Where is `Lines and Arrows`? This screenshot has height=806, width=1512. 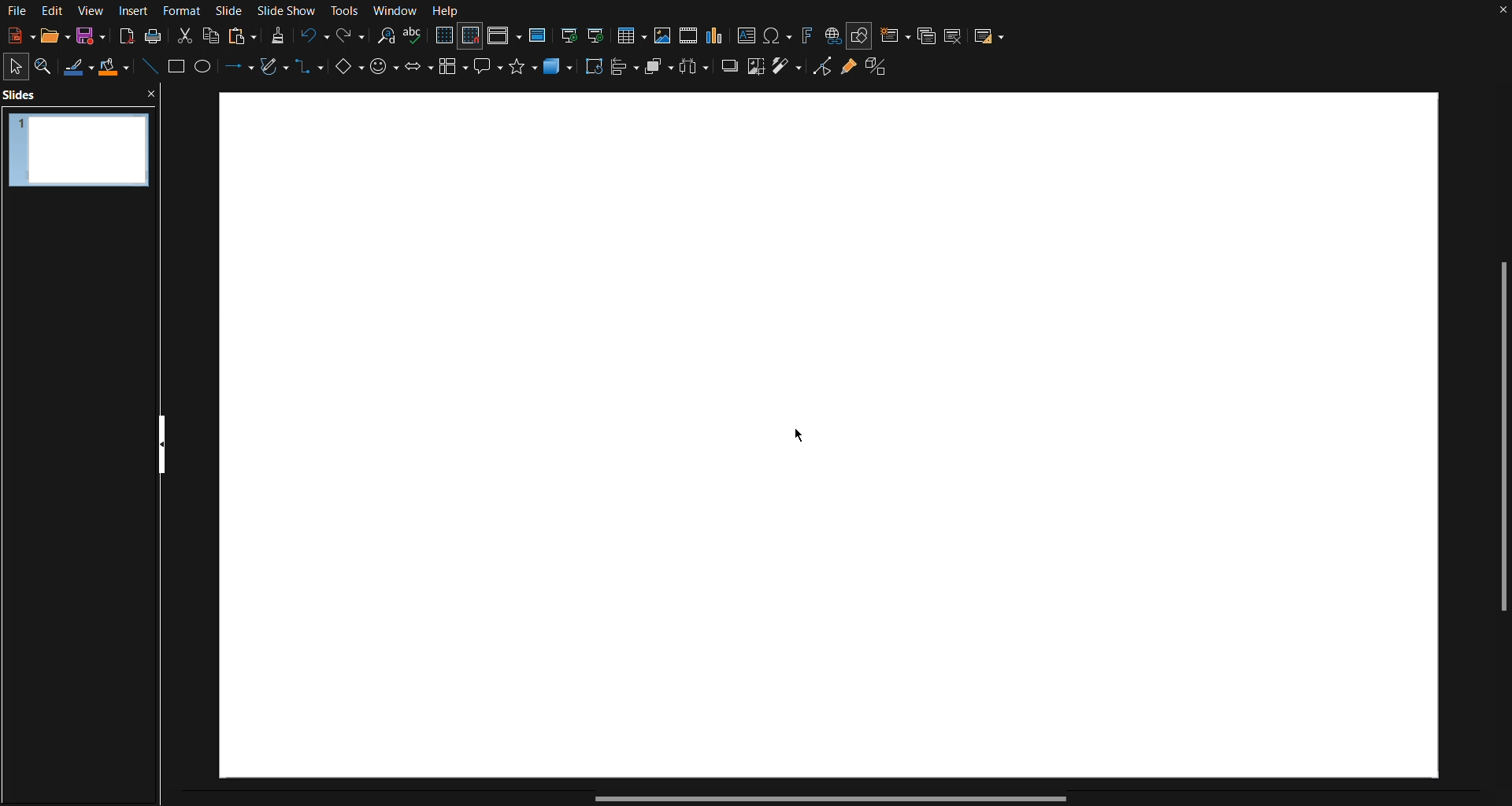
Lines and Arrows is located at coordinates (235, 70).